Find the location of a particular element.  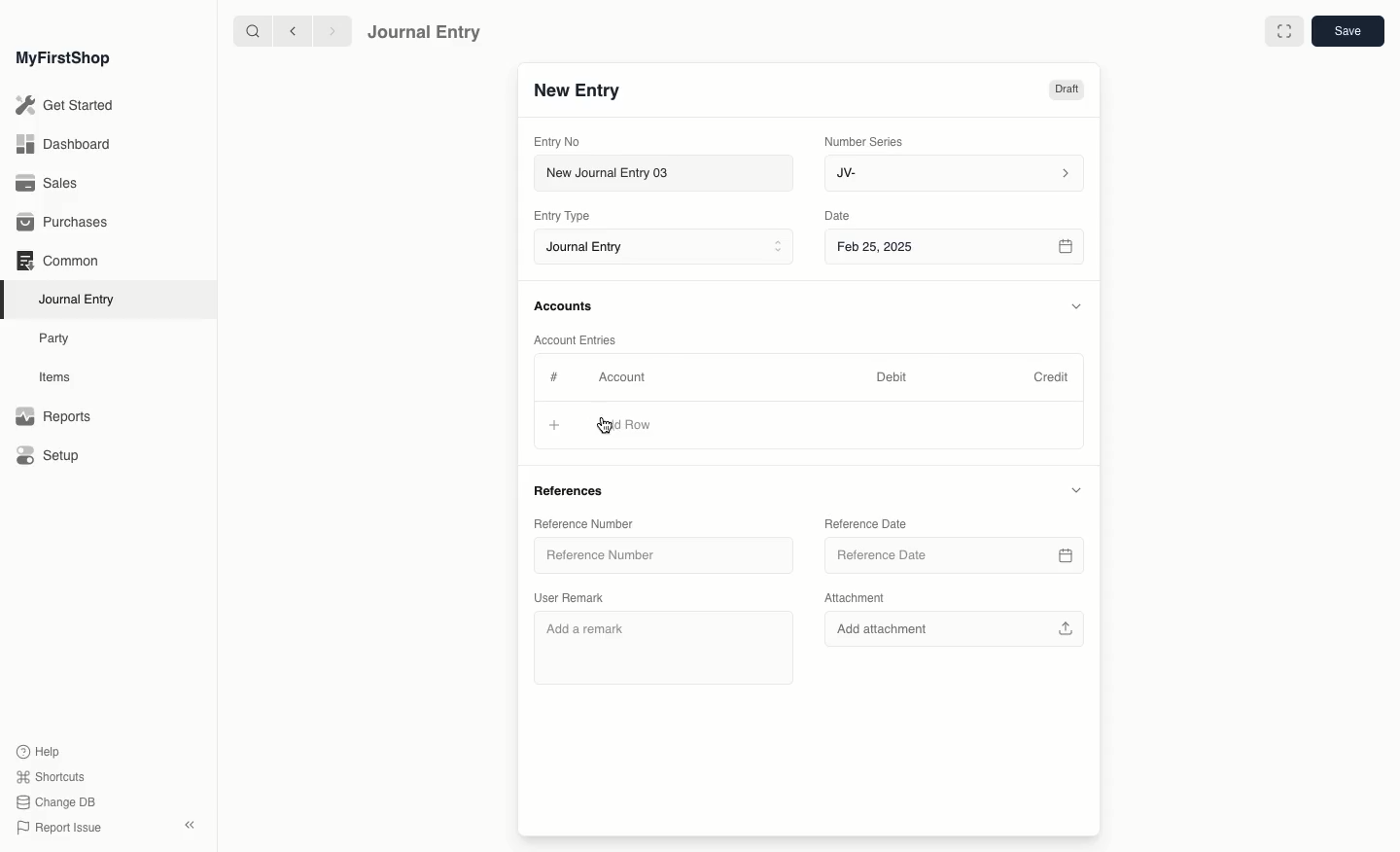

Collapse is located at coordinates (190, 825).